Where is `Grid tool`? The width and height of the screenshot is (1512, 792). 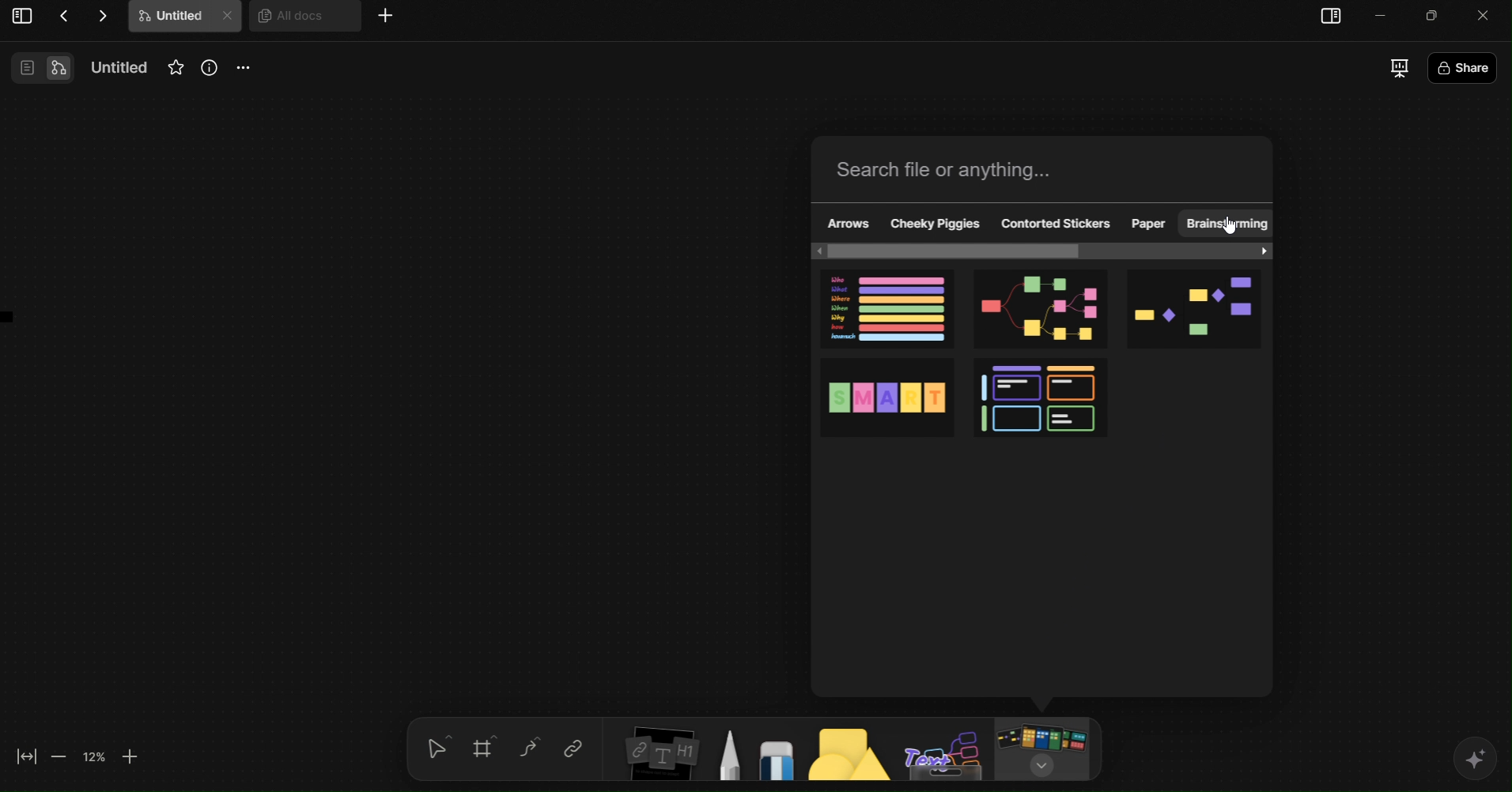
Grid tool is located at coordinates (483, 749).